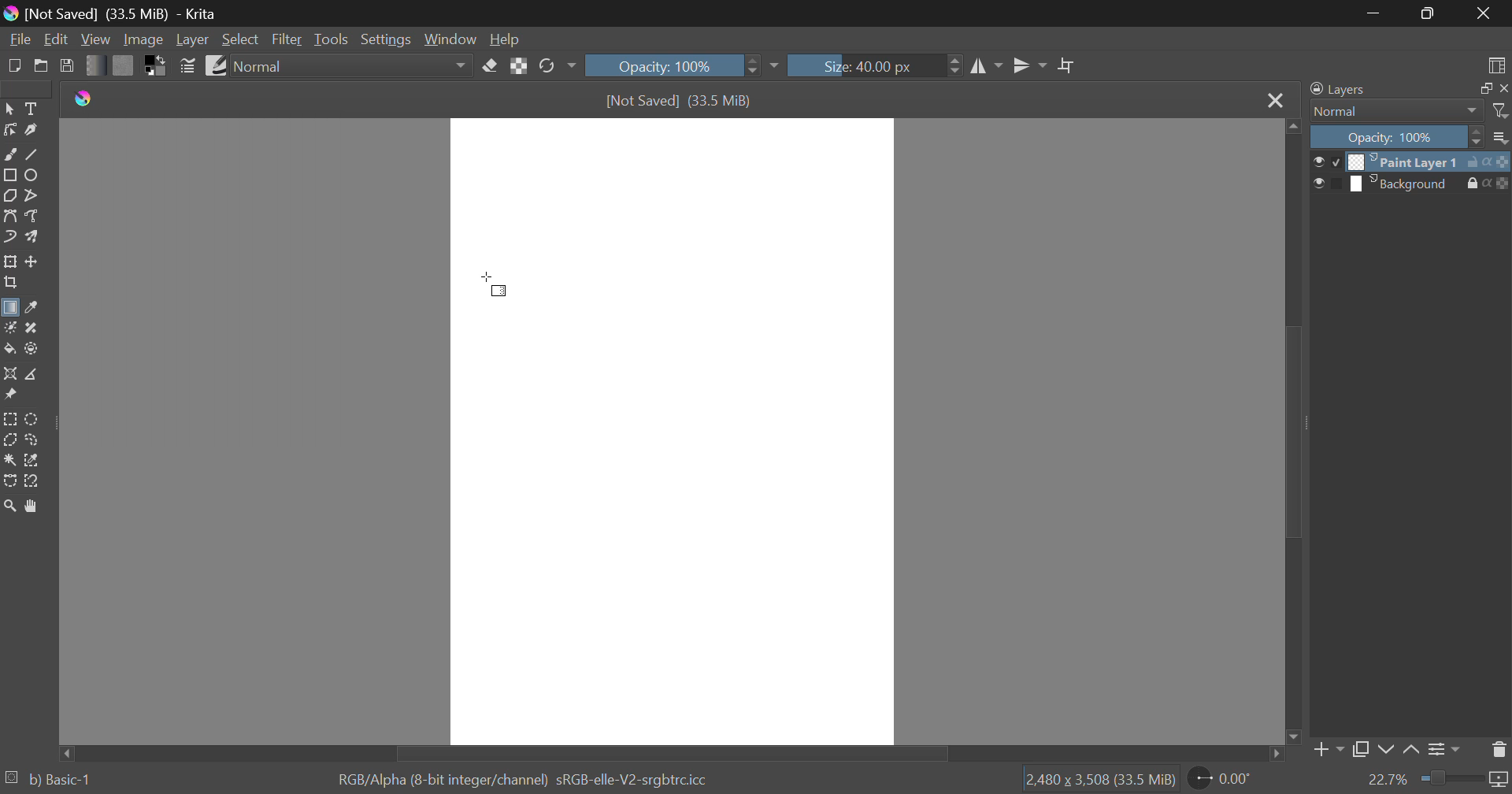  I want to click on 22.7%, so click(1437, 781).